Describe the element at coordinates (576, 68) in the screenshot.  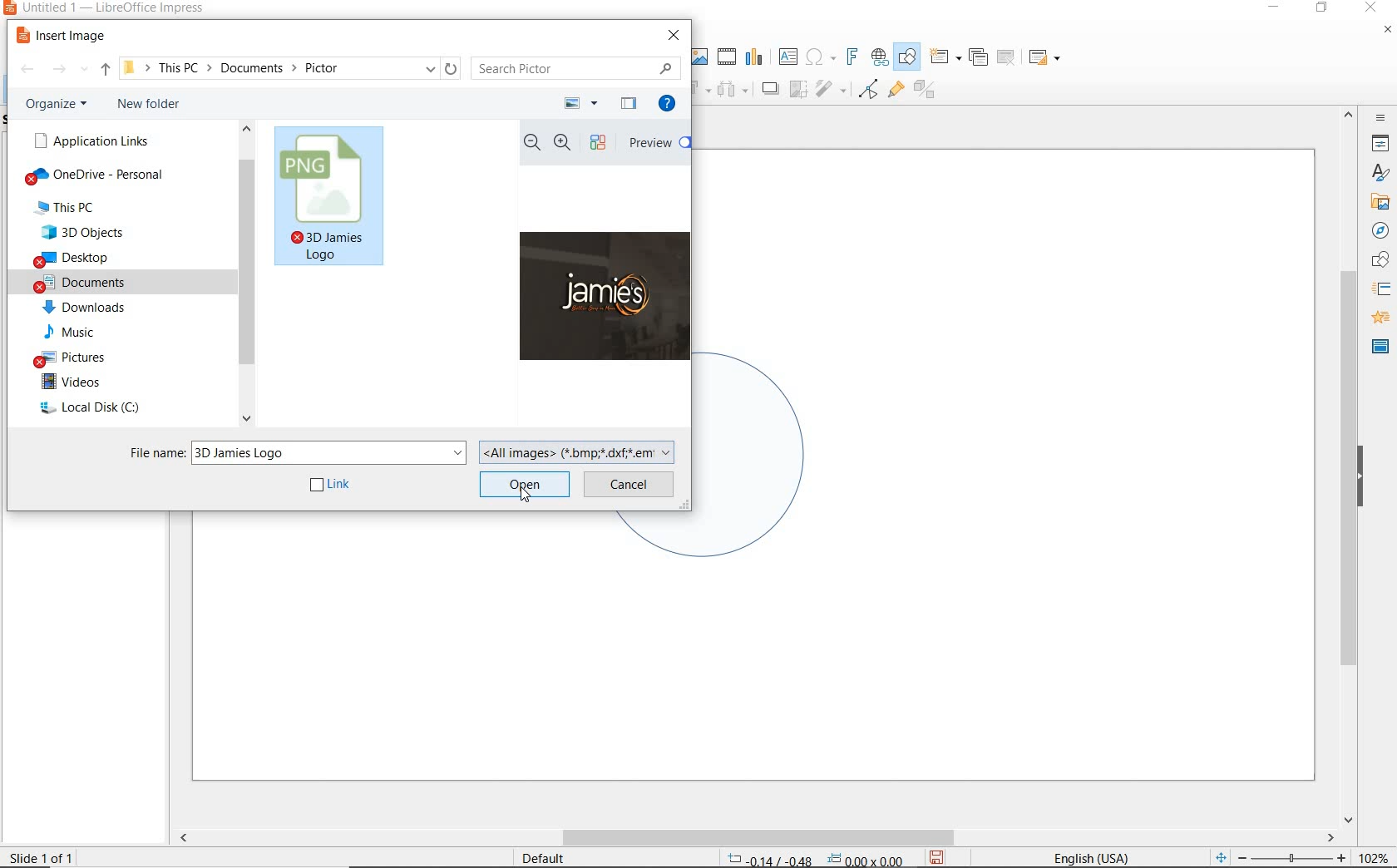
I see `search folder` at that location.